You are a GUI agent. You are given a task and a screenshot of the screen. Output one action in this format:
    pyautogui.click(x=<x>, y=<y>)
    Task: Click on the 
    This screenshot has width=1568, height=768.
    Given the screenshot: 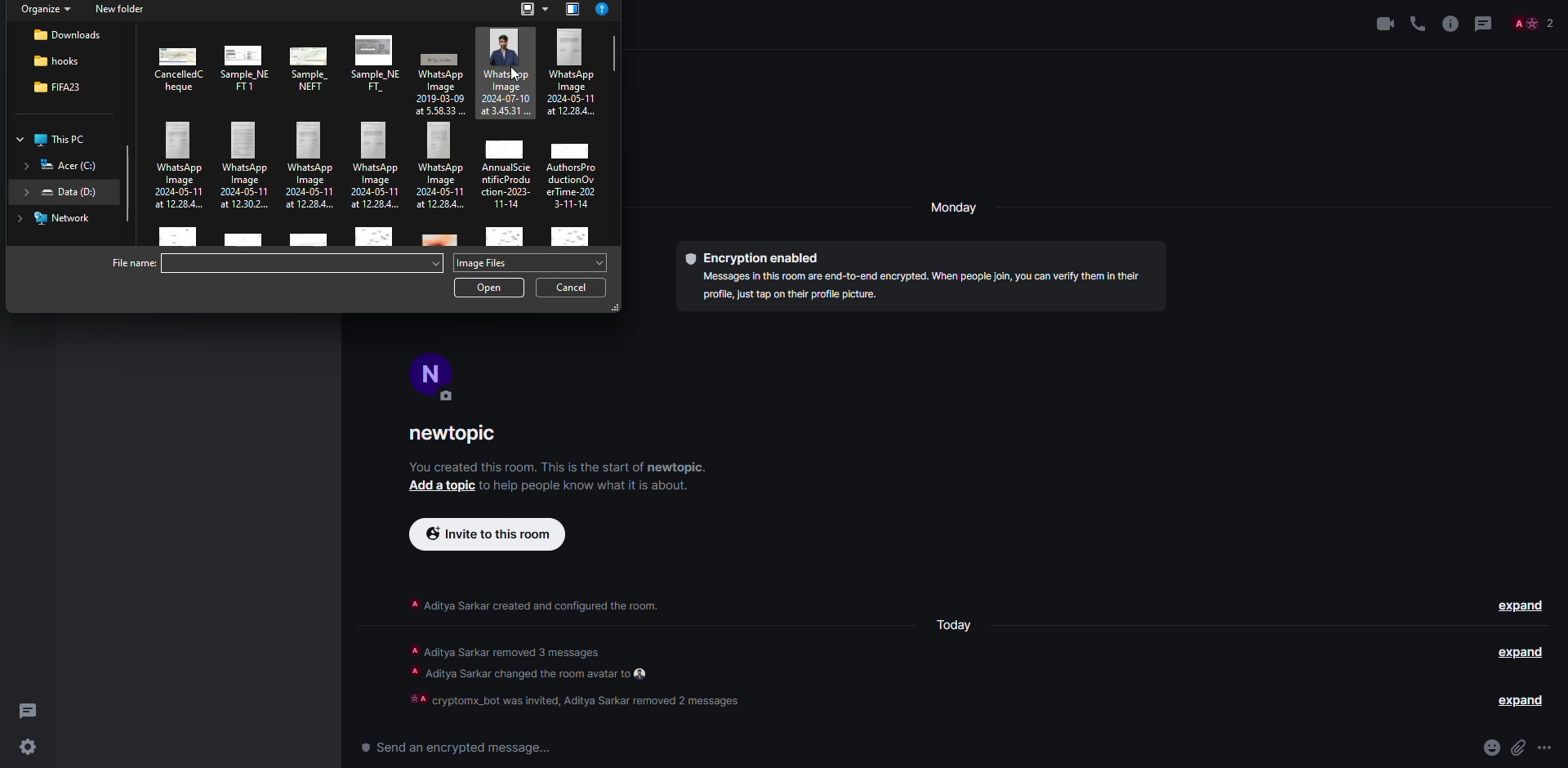 What is the action you would take?
    pyautogui.click(x=373, y=164)
    